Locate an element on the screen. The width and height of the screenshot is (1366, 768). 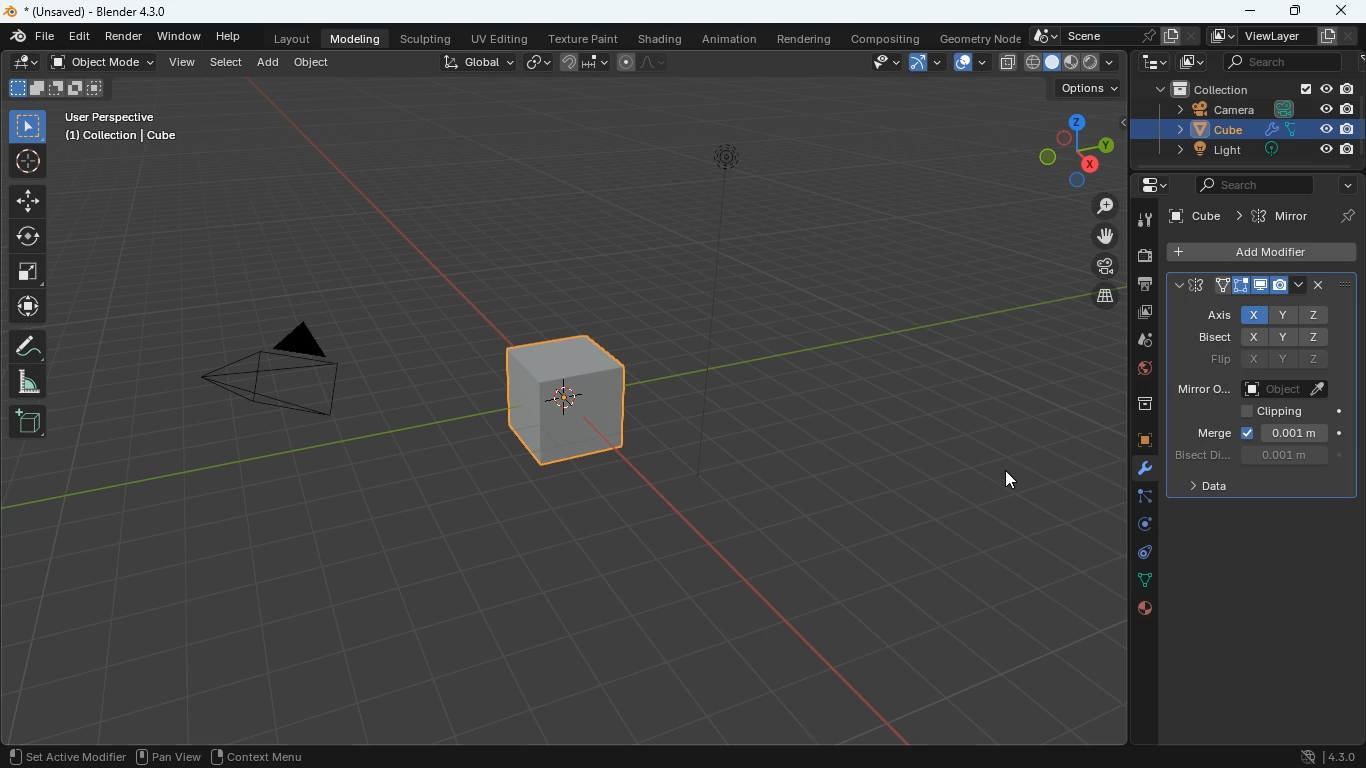
pan view is located at coordinates (39, 755).